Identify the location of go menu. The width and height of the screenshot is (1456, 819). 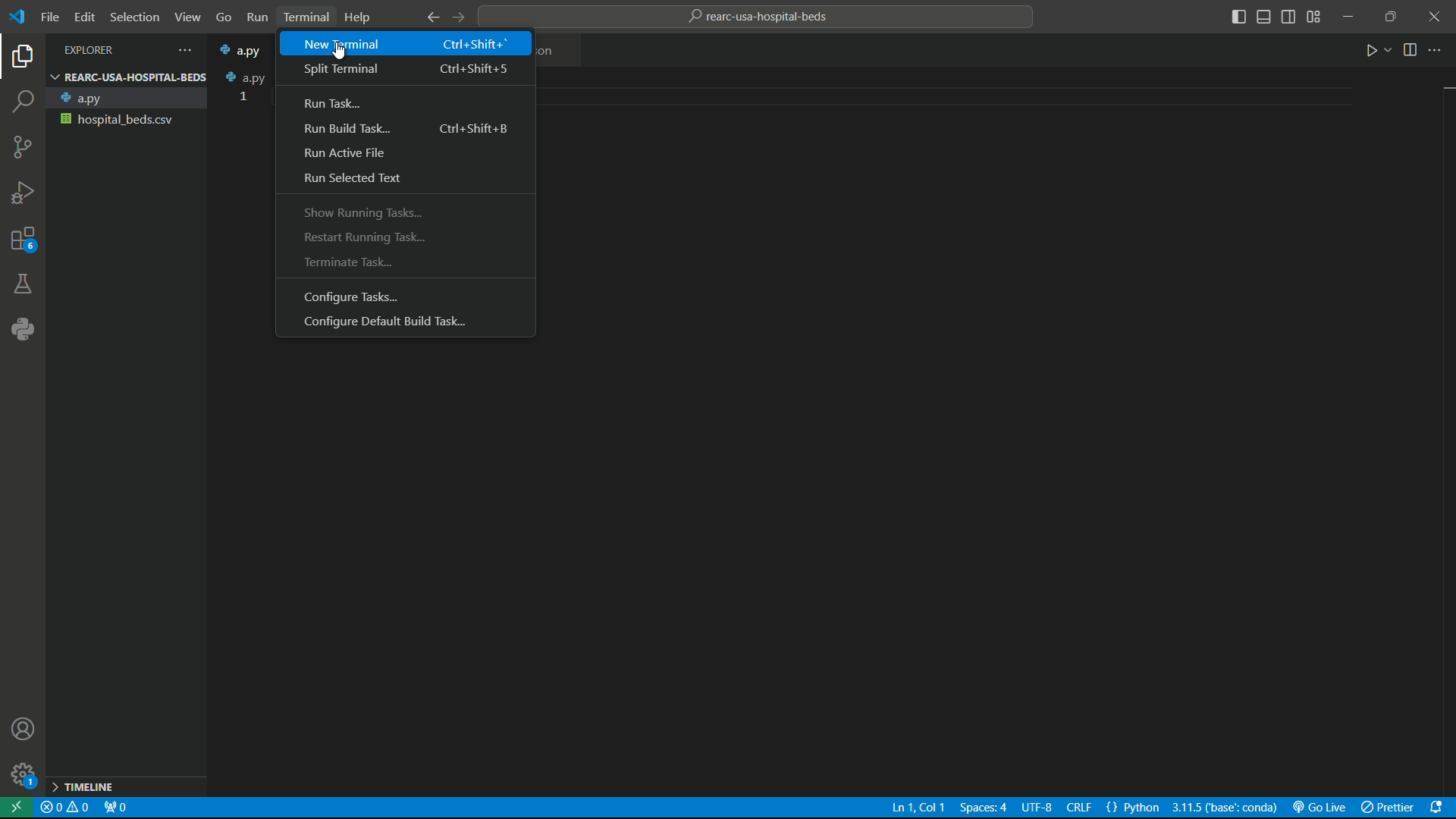
(223, 17).